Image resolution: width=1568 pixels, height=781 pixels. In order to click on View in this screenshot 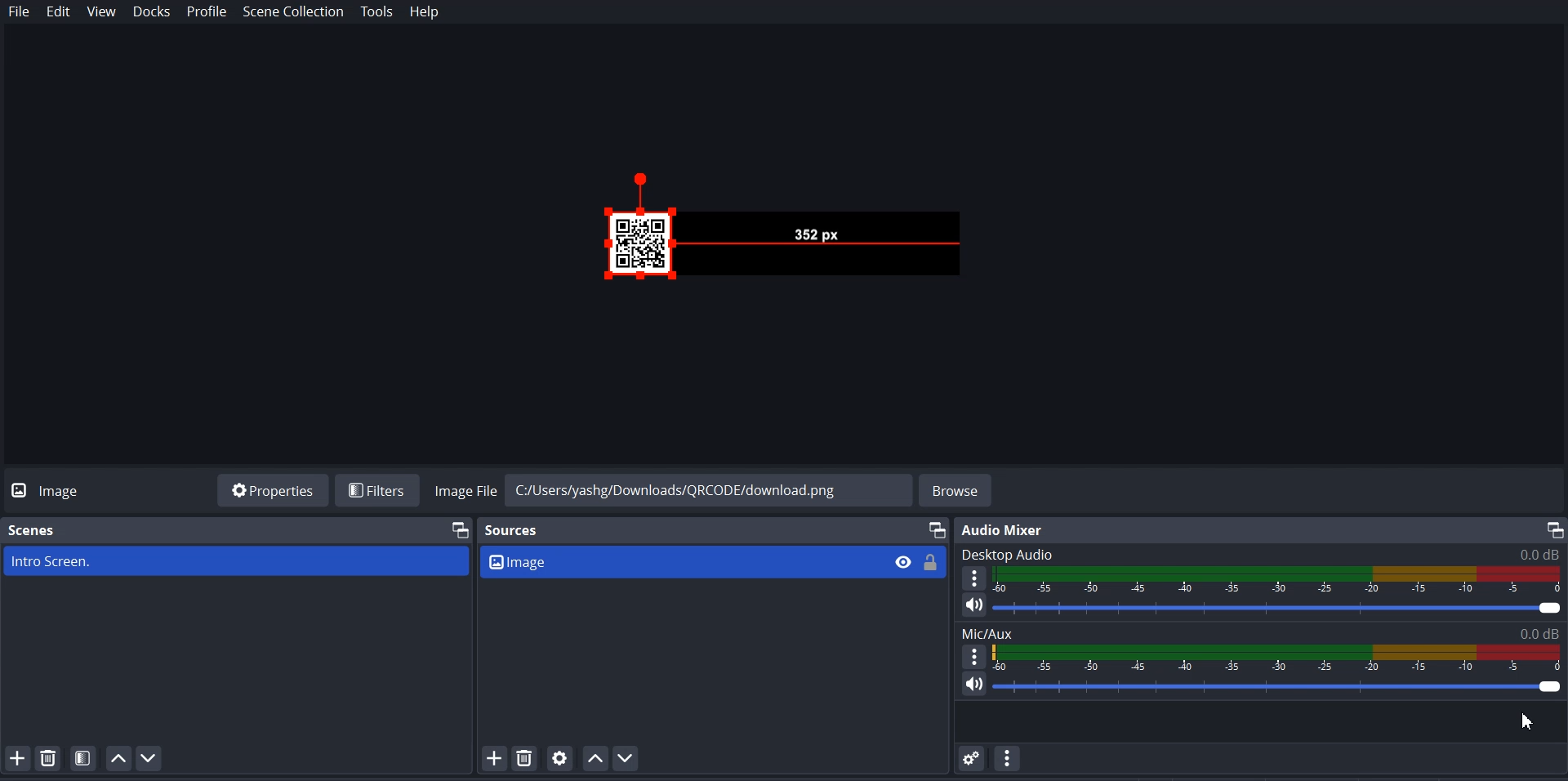, I will do `click(101, 11)`.